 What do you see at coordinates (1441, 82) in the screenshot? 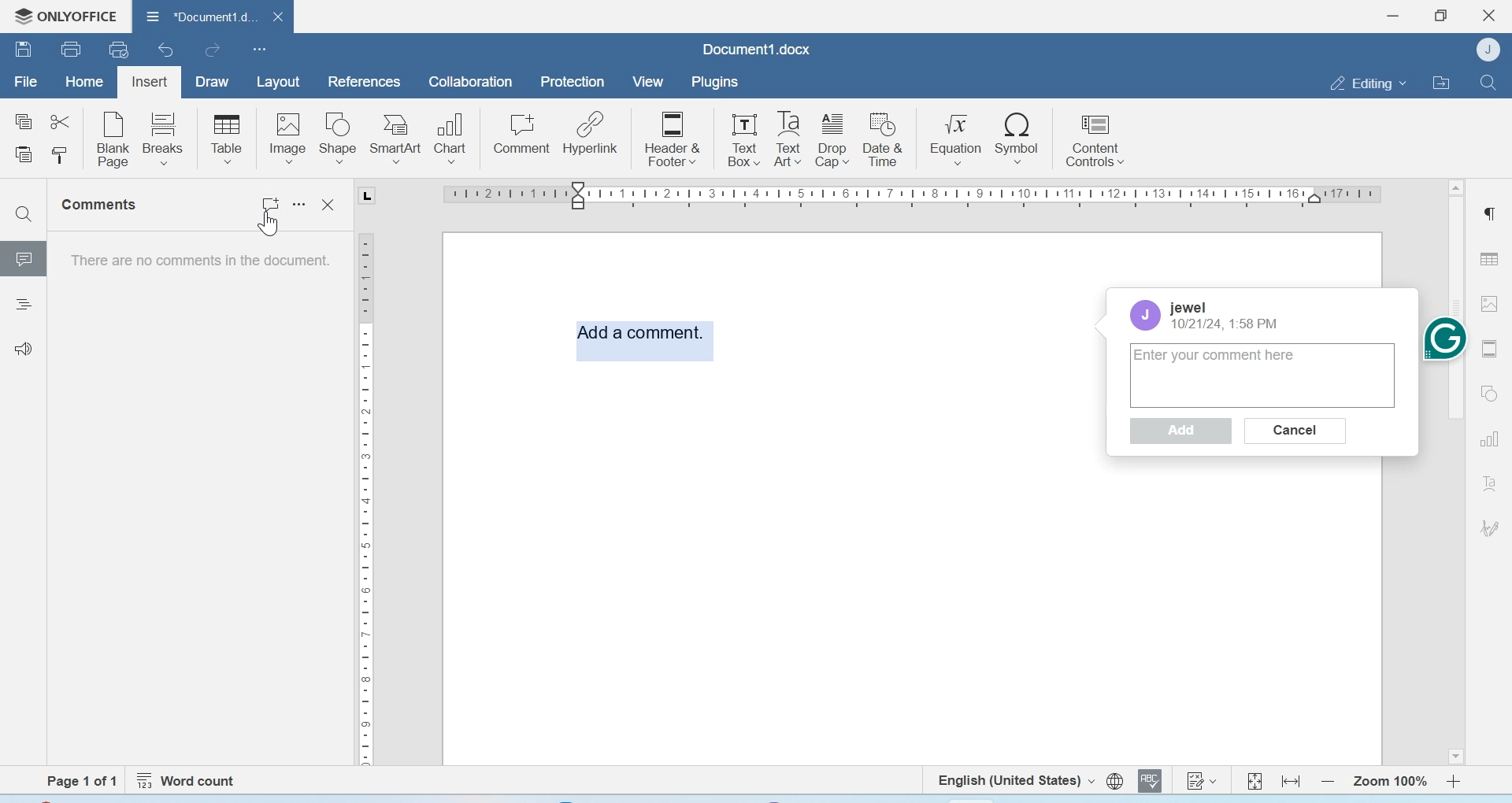
I see `Open file location` at bounding box center [1441, 82].